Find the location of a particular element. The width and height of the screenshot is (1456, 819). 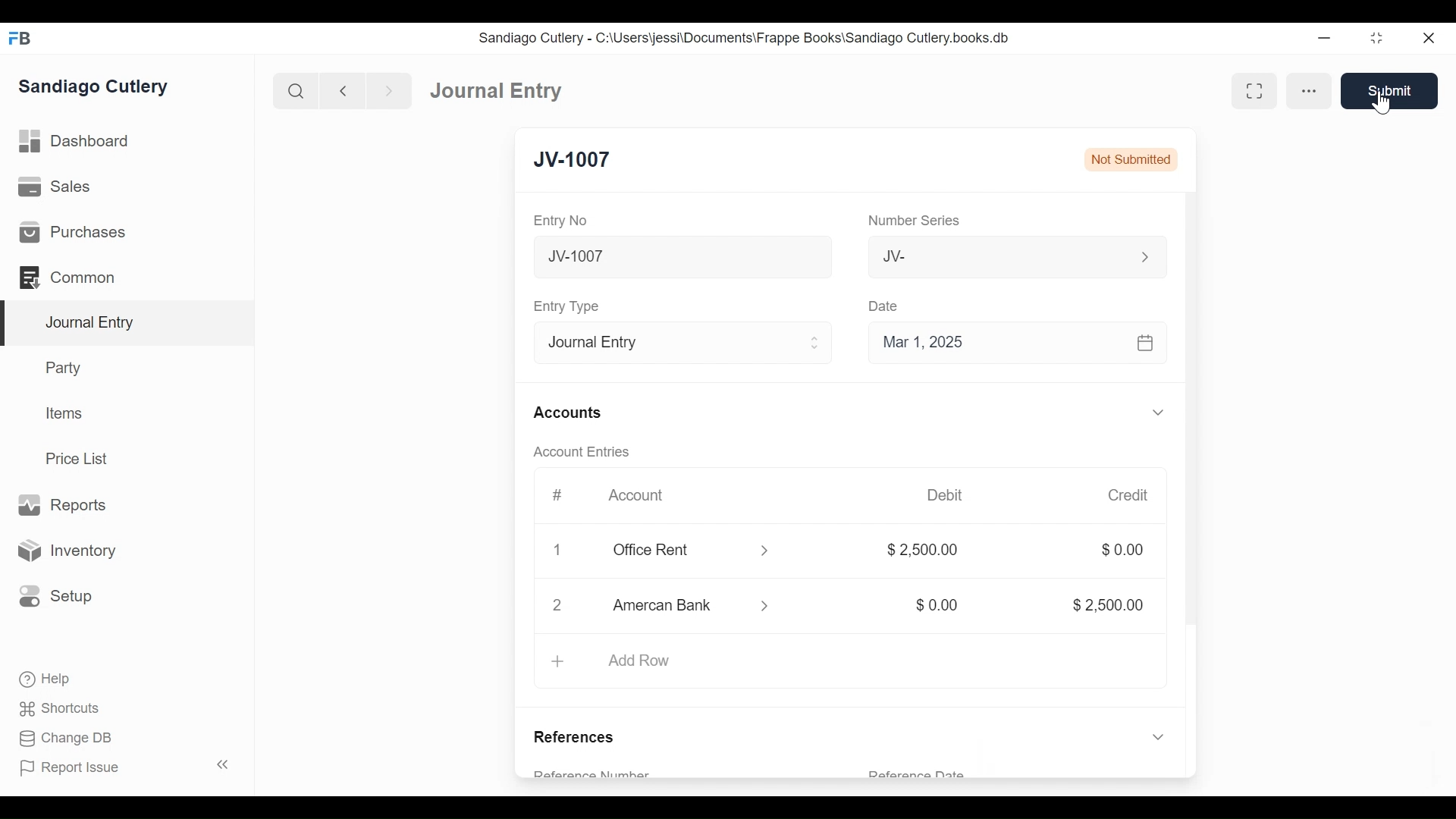

cursor is located at coordinates (1382, 104).